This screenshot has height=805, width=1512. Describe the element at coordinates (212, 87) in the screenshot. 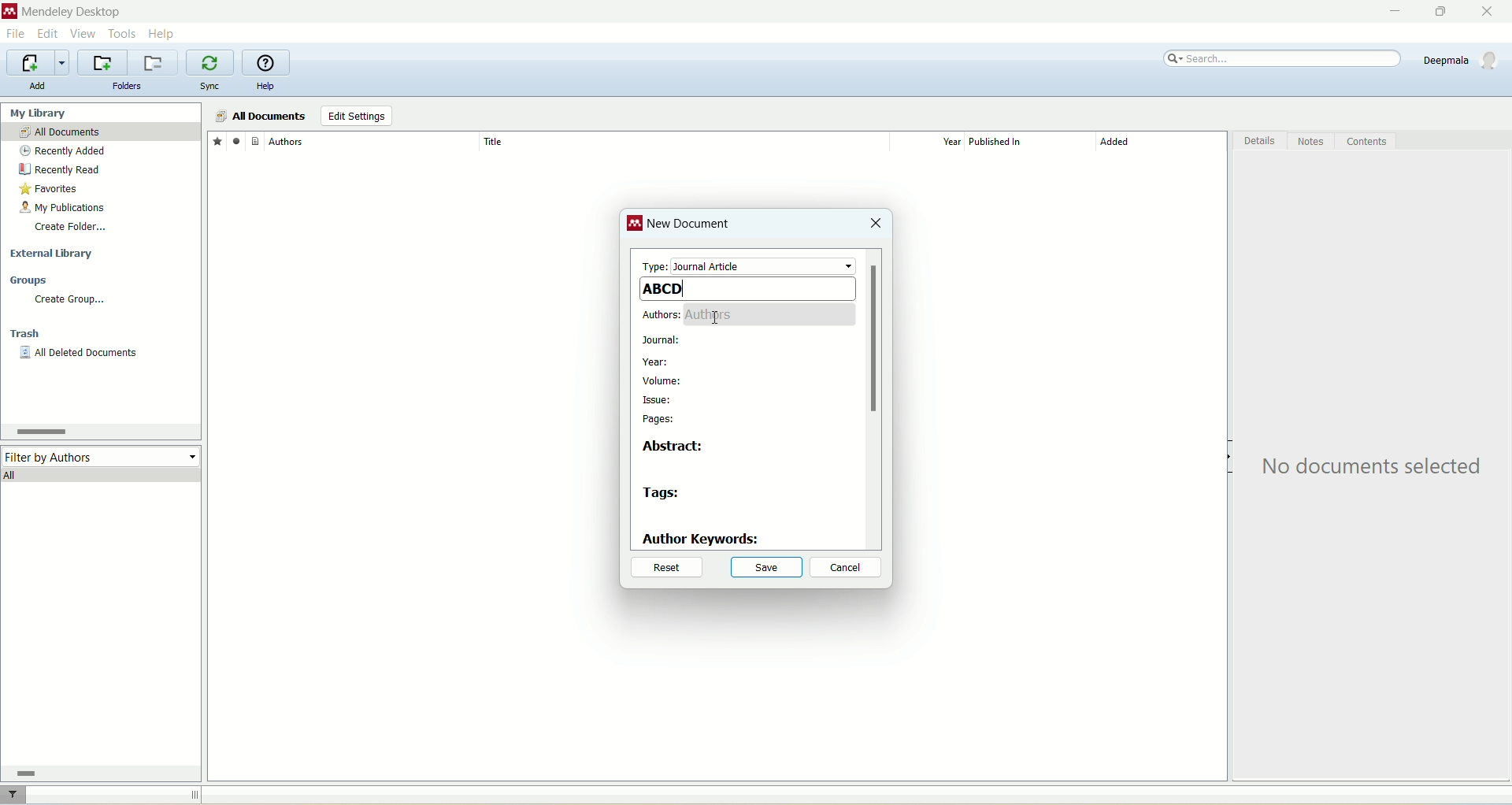

I see `sync` at that location.